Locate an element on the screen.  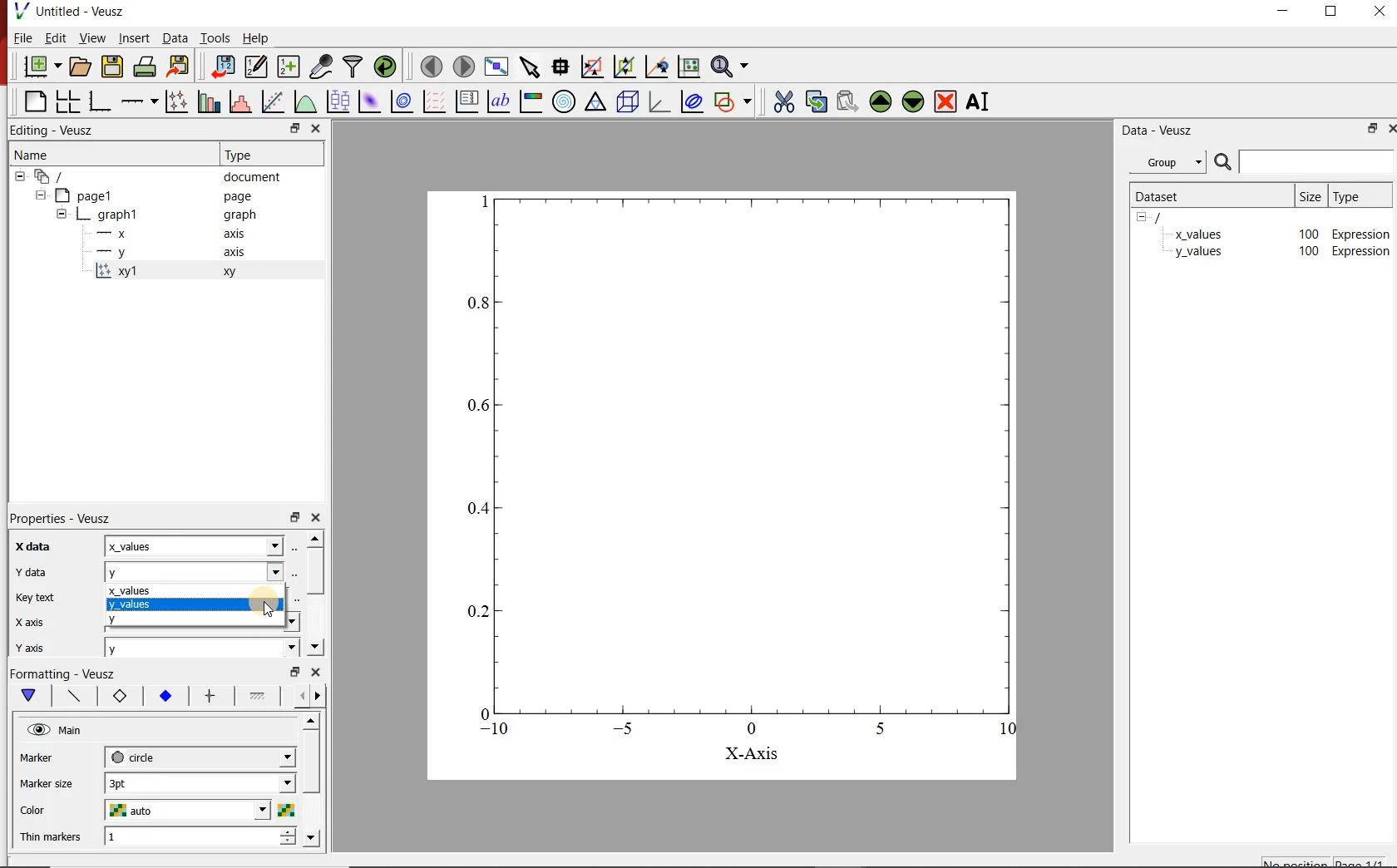
move down the selected widget is located at coordinates (913, 104).